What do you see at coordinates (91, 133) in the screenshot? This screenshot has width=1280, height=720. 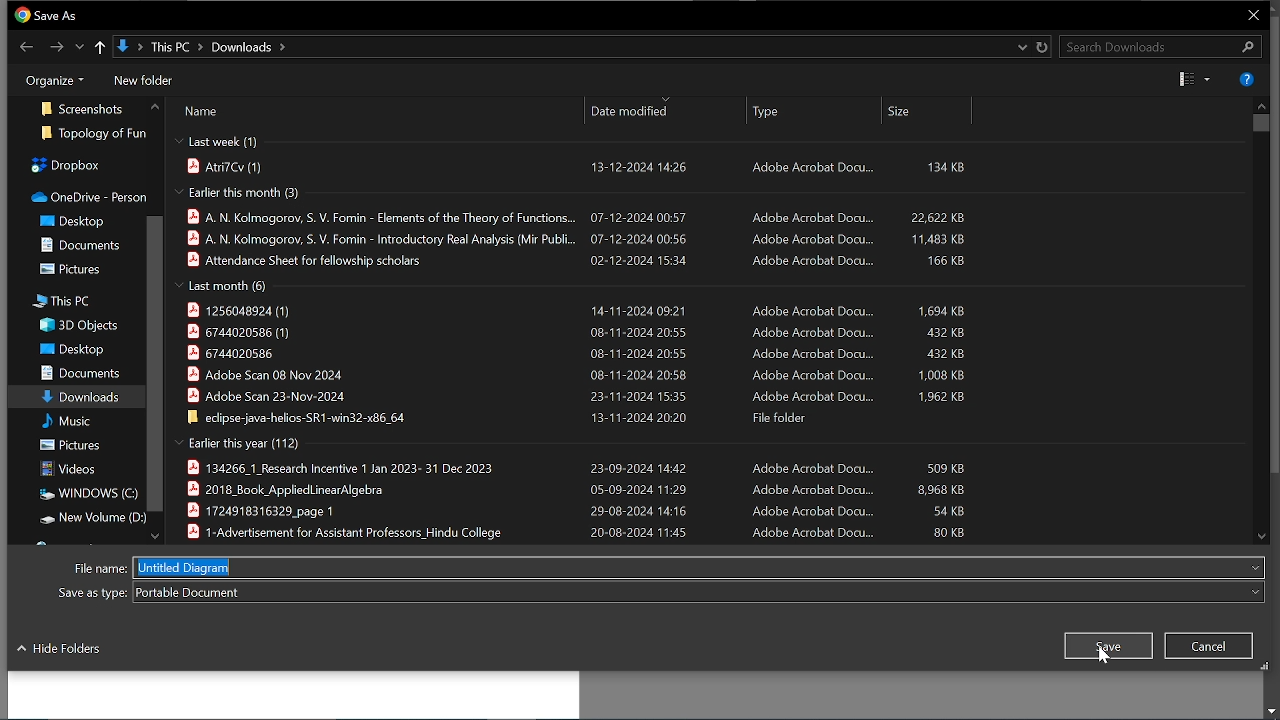 I see `topology of fun` at bounding box center [91, 133].